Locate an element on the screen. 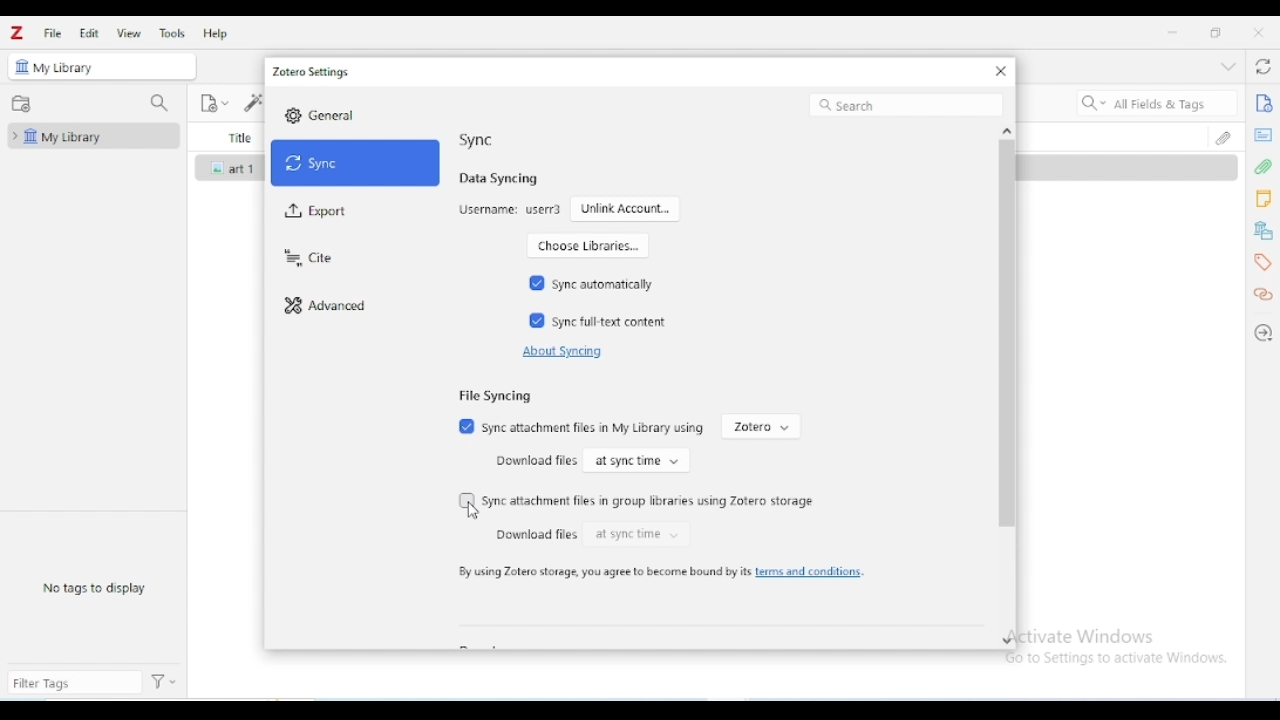 This screenshot has height=720, width=1280. sync automatically is located at coordinates (602, 284).